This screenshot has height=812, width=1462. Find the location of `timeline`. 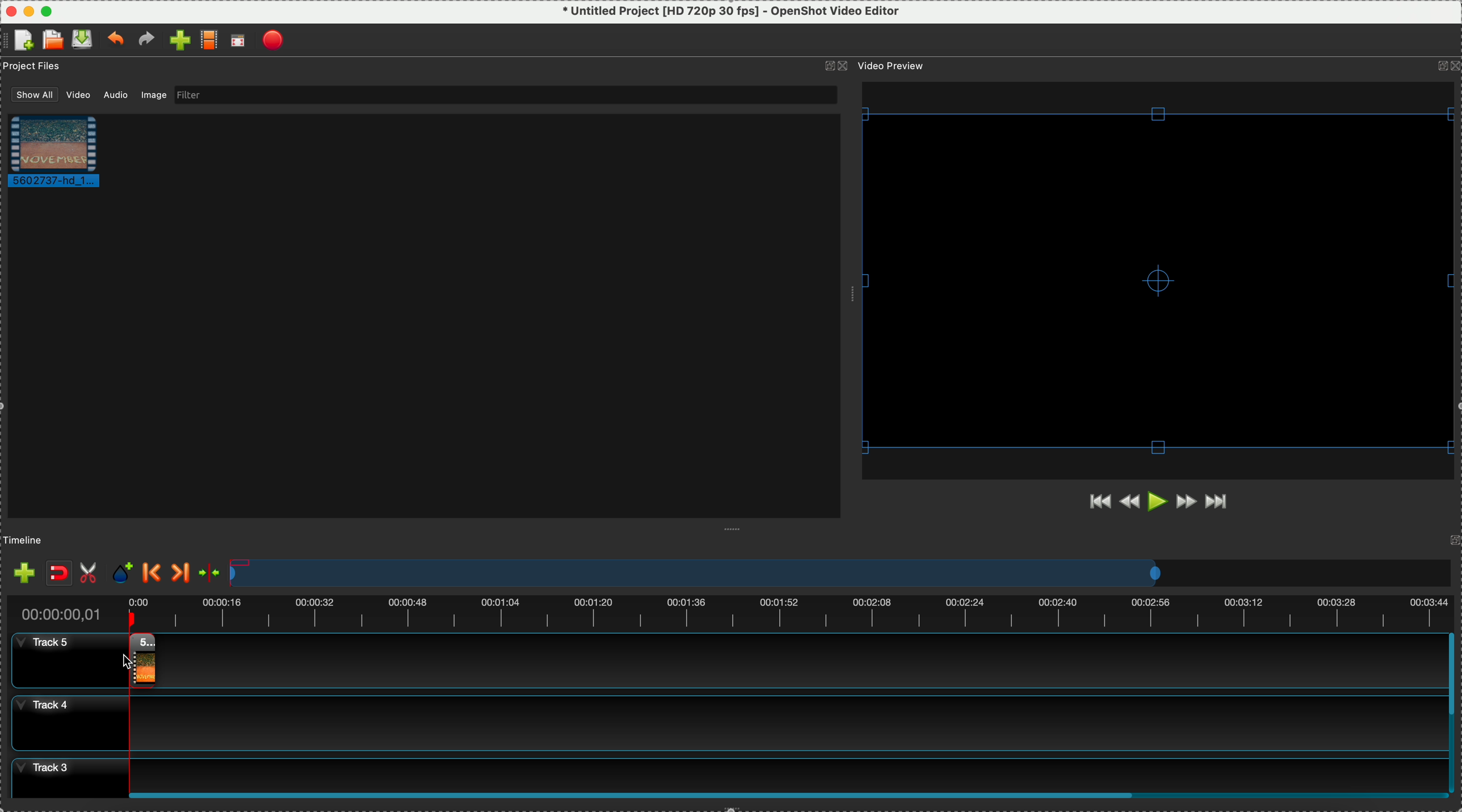

timeline is located at coordinates (839, 573).